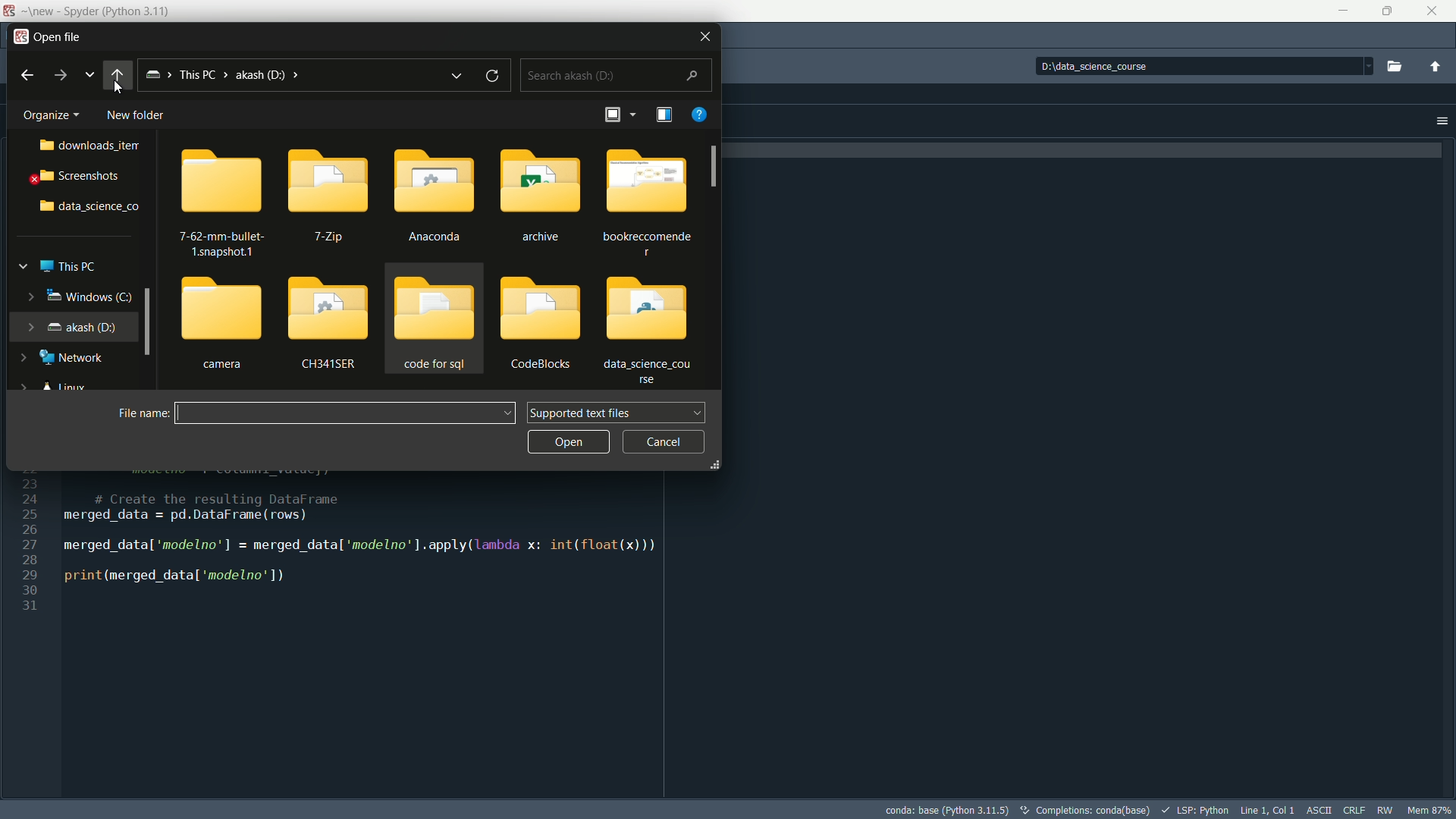  Describe the element at coordinates (75, 357) in the screenshot. I see `Network ` at that location.